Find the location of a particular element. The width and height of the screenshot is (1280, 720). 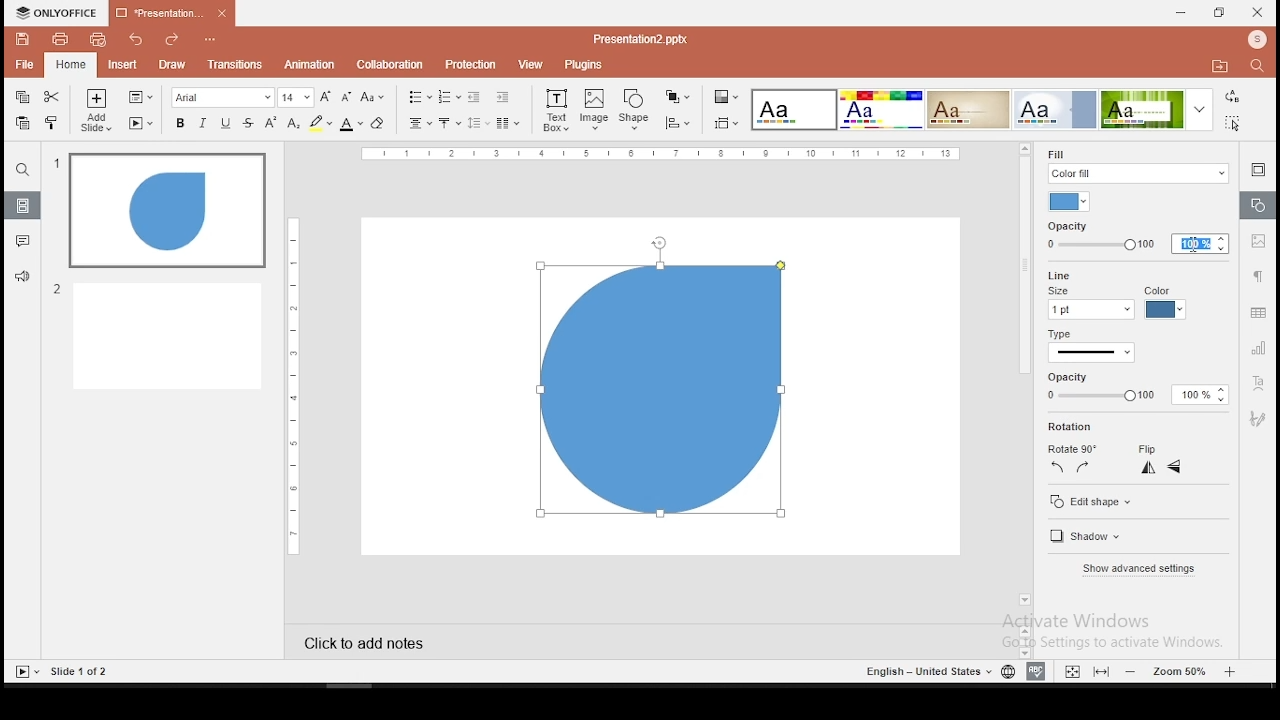

horizontal scale is located at coordinates (290, 385).